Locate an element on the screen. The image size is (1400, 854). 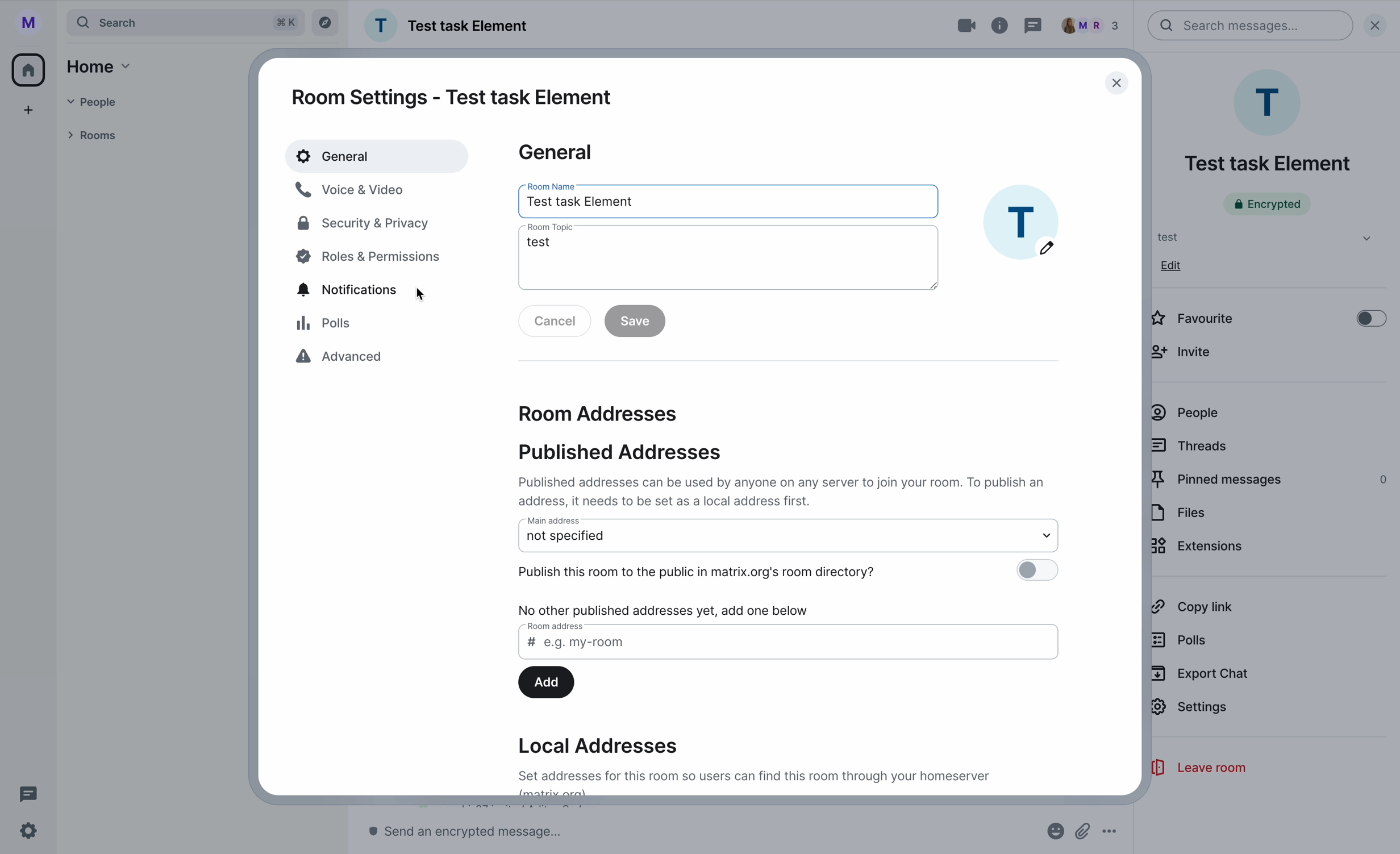
room name is located at coordinates (732, 198).